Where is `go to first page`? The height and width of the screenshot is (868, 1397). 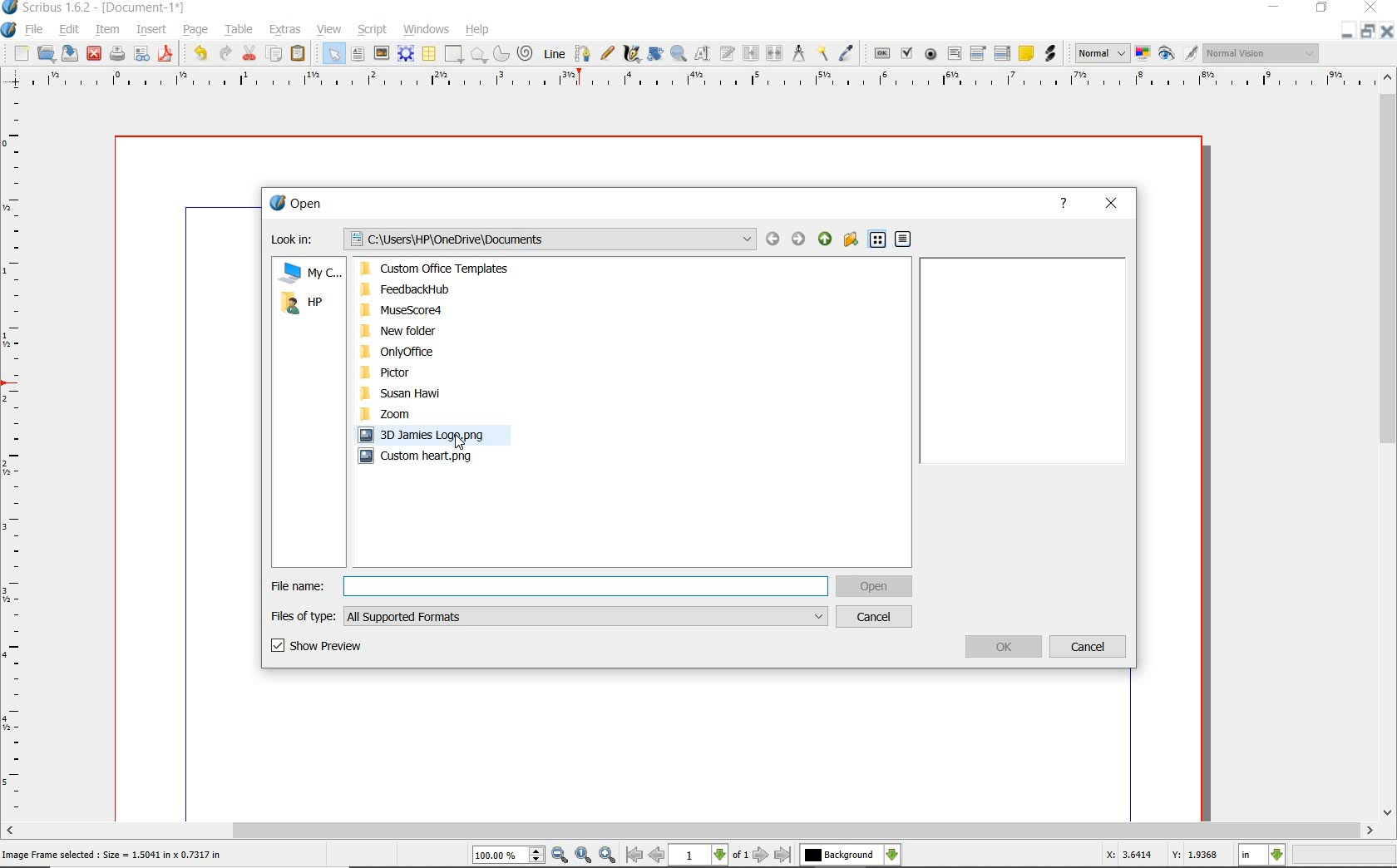
go to first page is located at coordinates (634, 856).